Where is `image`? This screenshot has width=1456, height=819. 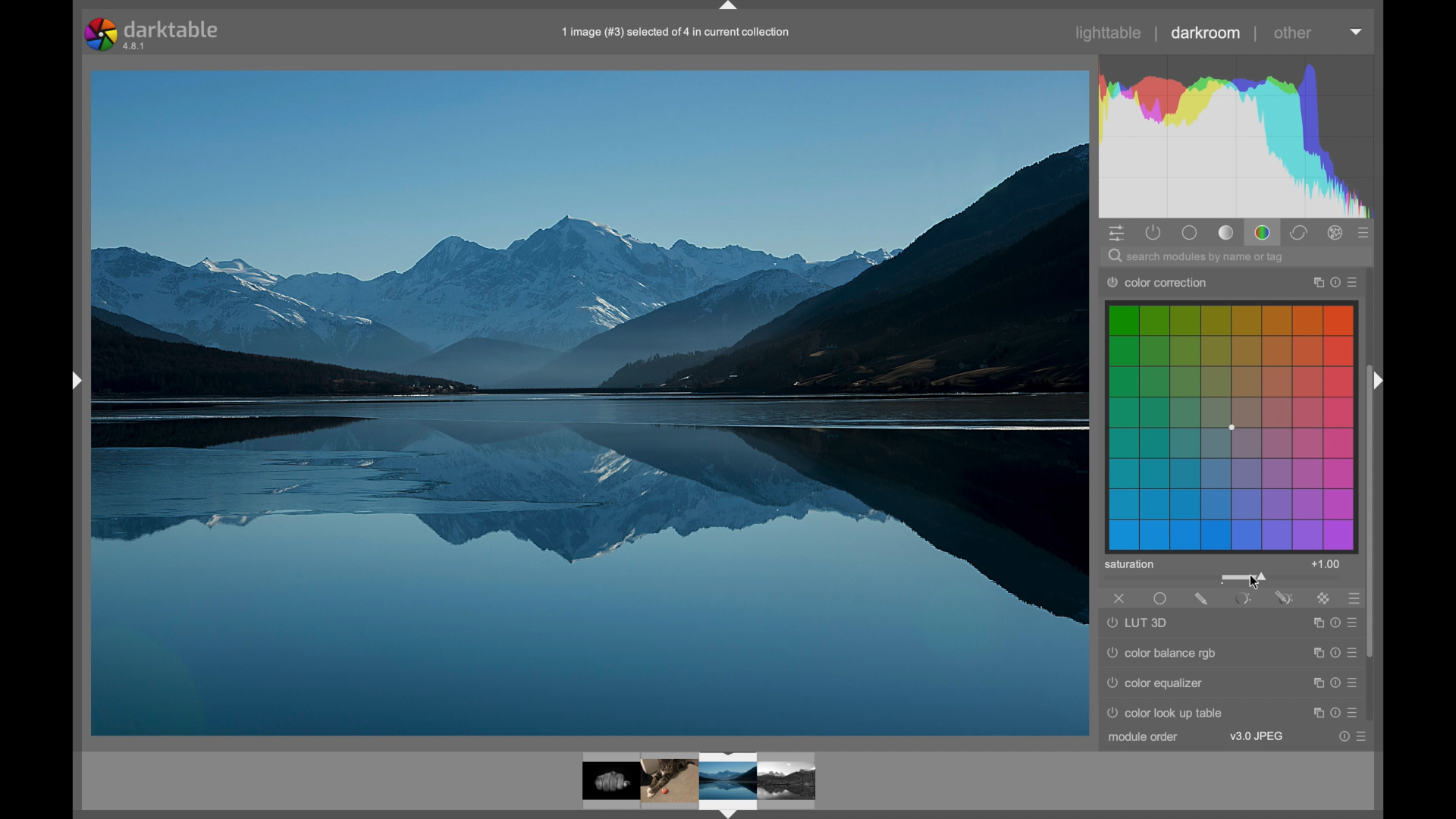
image is located at coordinates (728, 785).